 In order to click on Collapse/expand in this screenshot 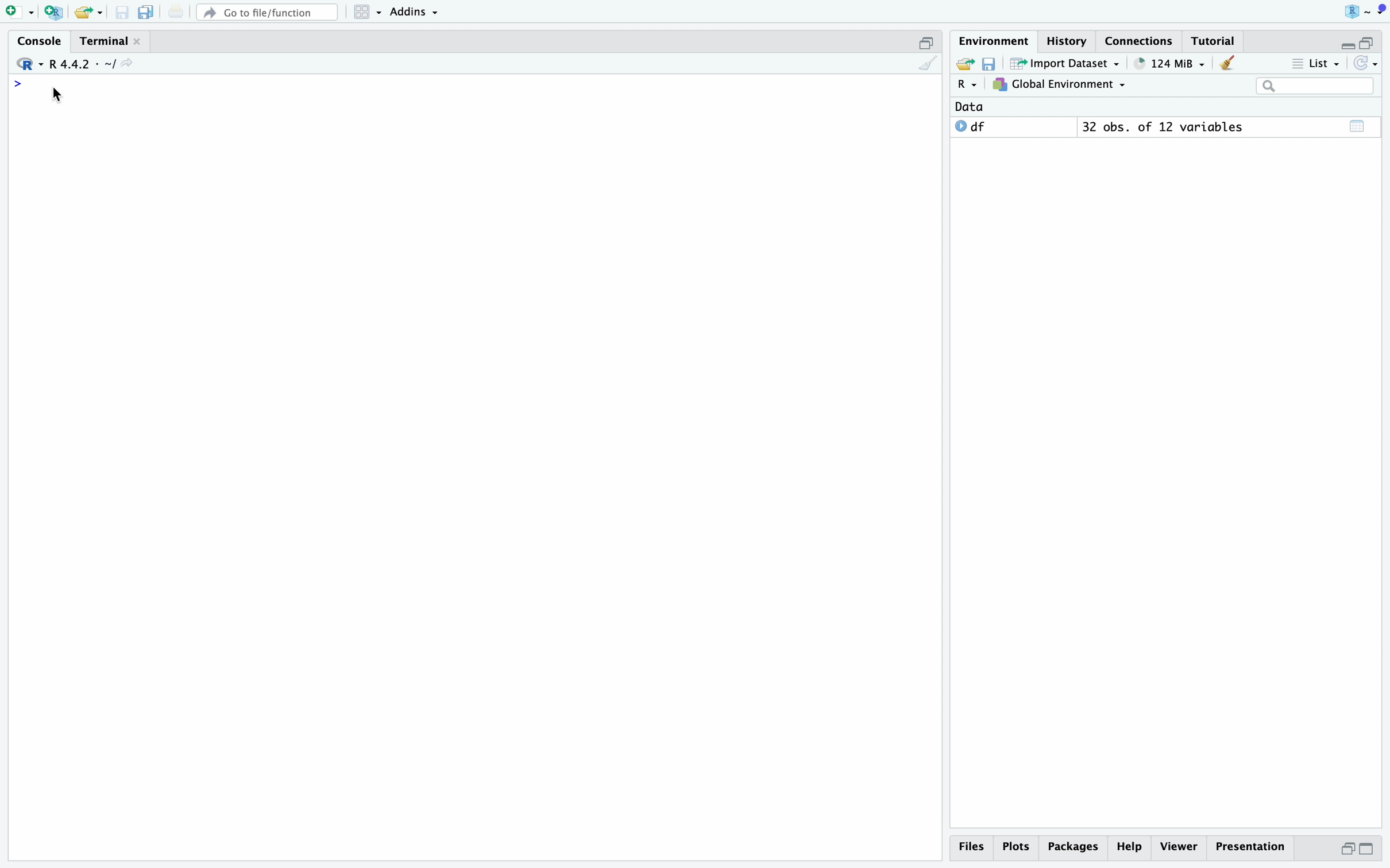, I will do `click(1346, 46)`.